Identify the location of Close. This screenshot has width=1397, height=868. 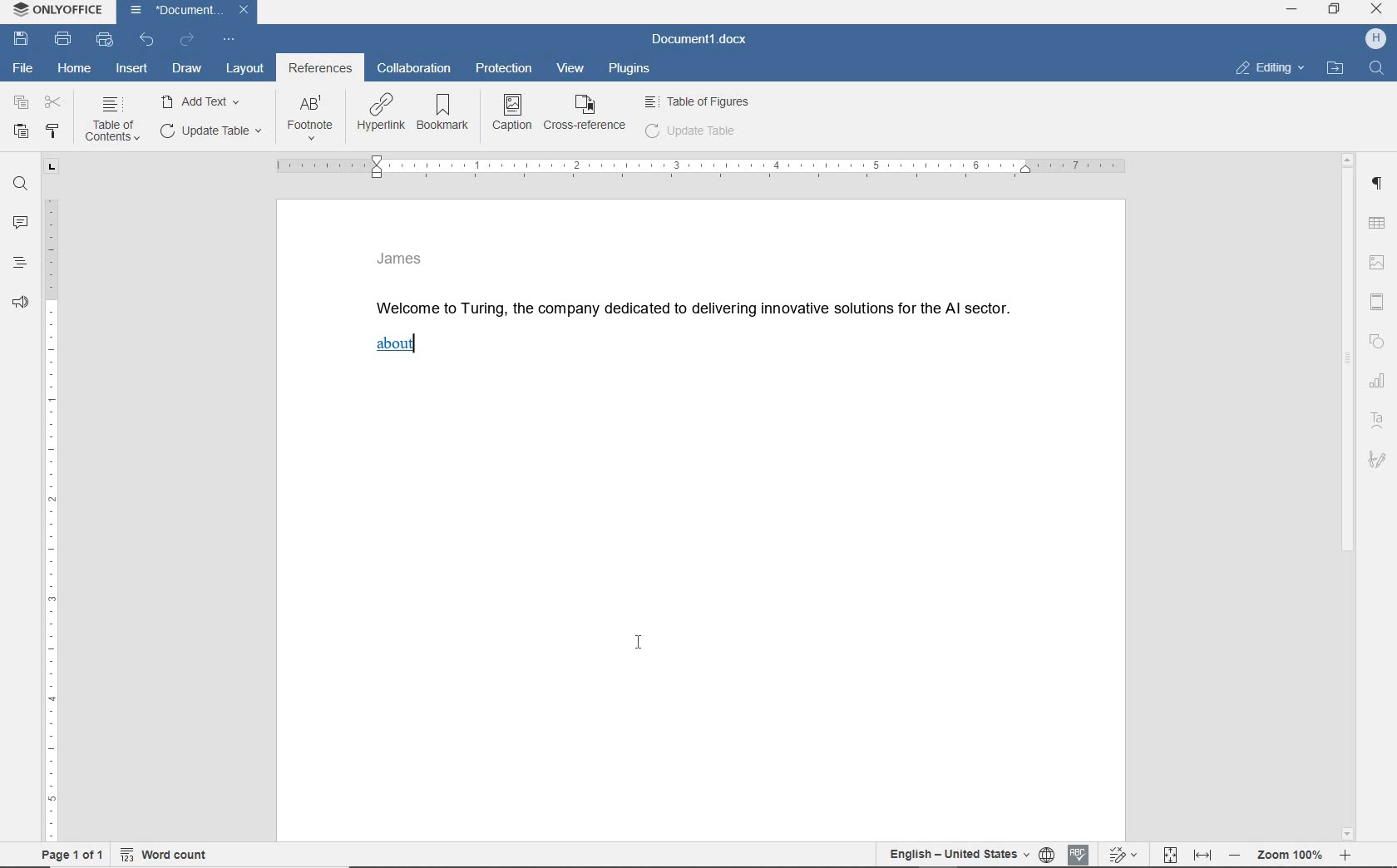
(244, 12).